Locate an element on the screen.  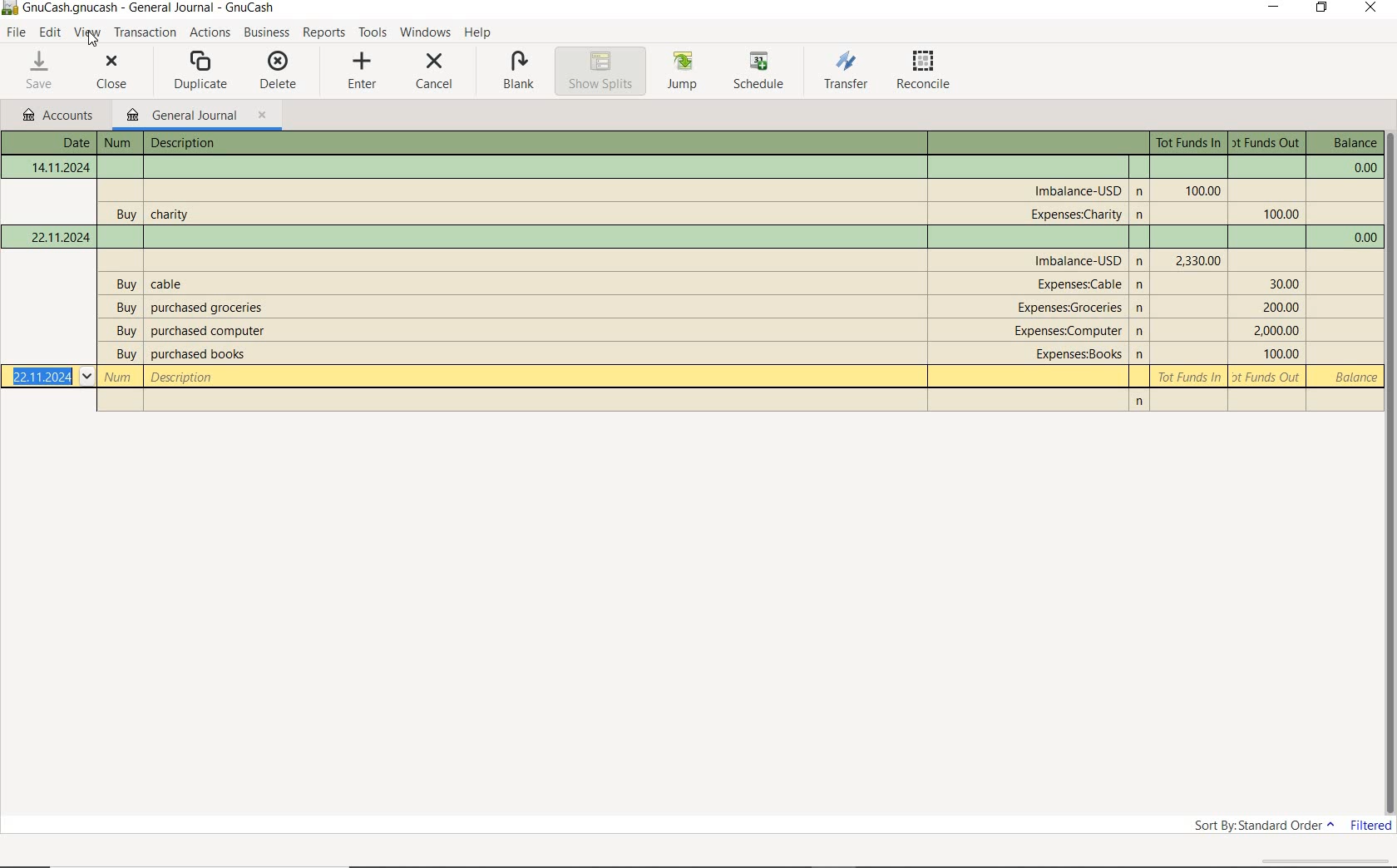
SAVE is located at coordinates (41, 71).